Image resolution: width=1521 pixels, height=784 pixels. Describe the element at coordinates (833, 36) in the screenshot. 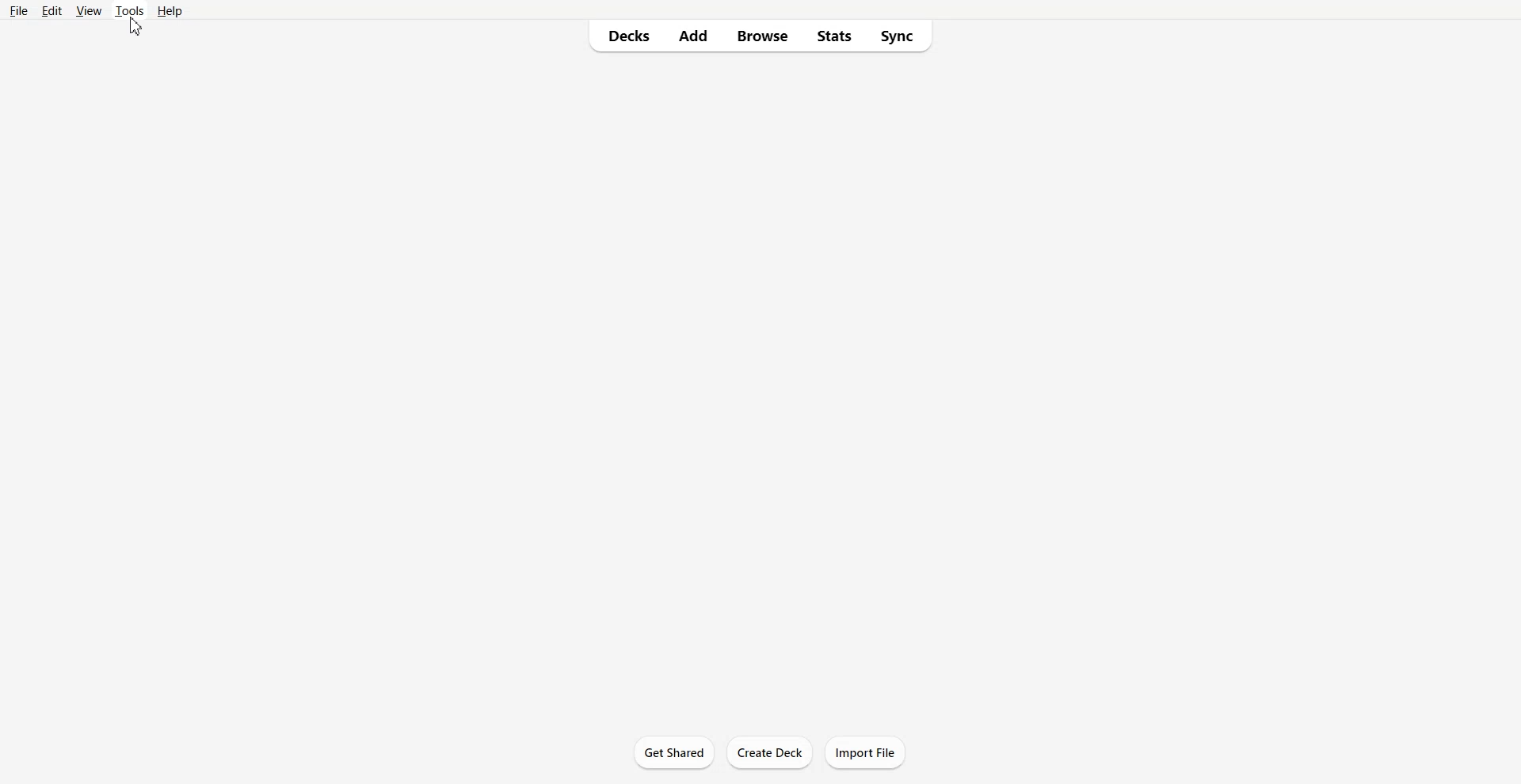

I see `Stats` at that location.